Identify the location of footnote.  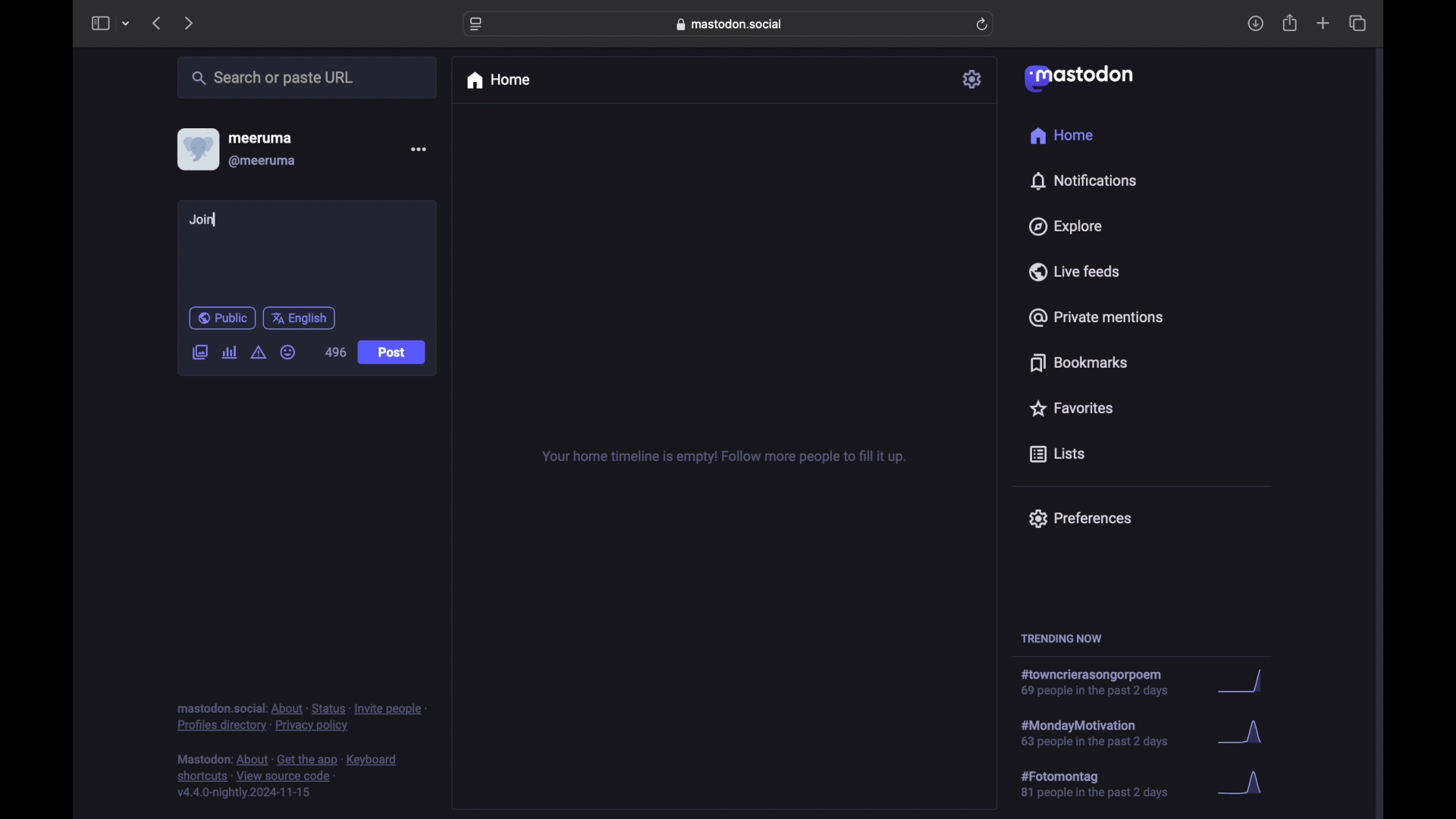
(302, 717).